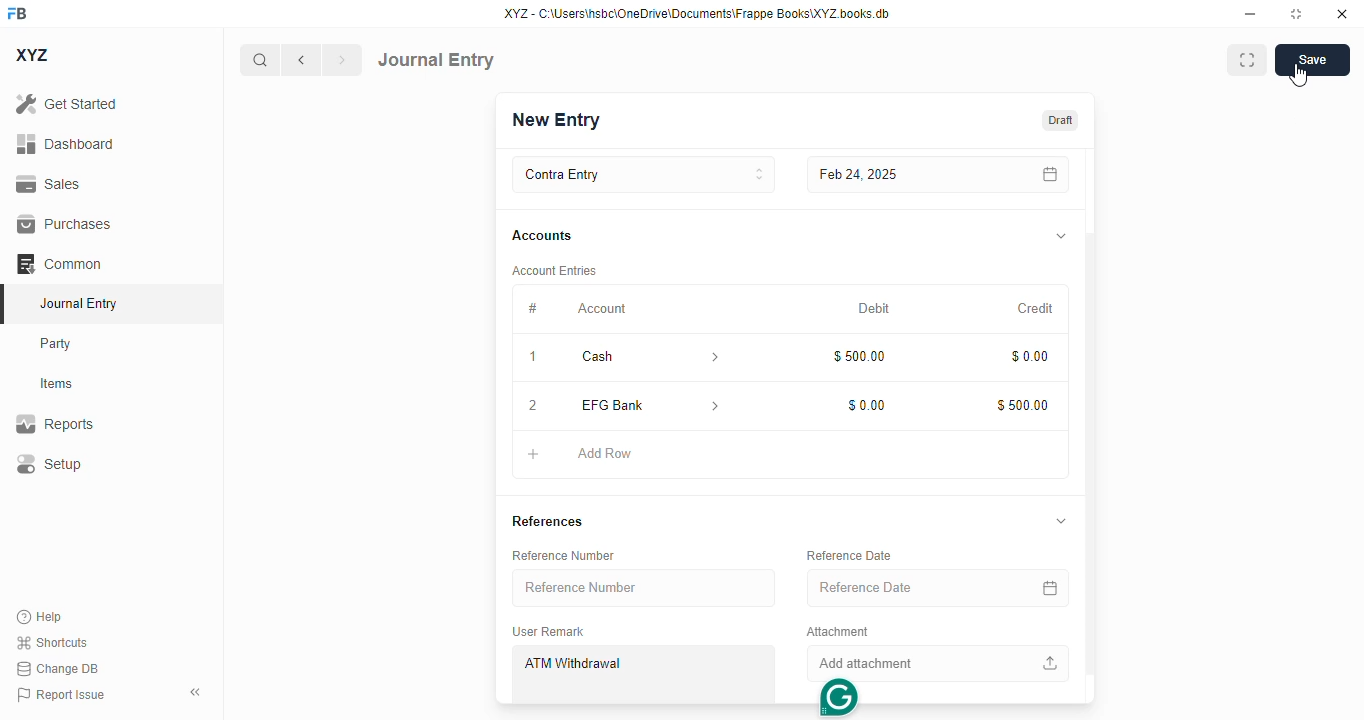  Describe the element at coordinates (1090, 426) in the screenshot. I see `vertical scroll bar` at that location.